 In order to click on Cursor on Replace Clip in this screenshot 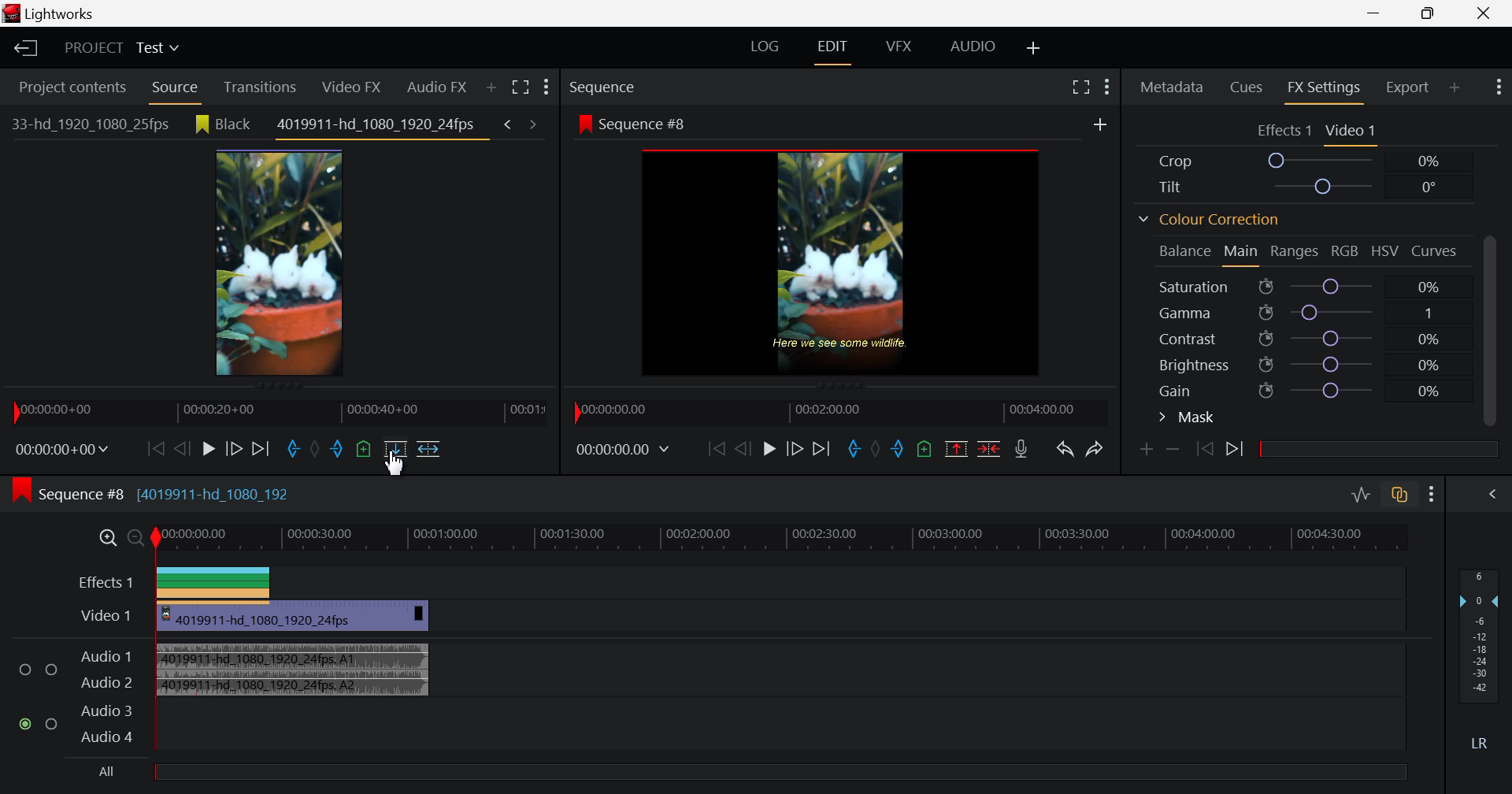, I will do `click(395, 456)`.